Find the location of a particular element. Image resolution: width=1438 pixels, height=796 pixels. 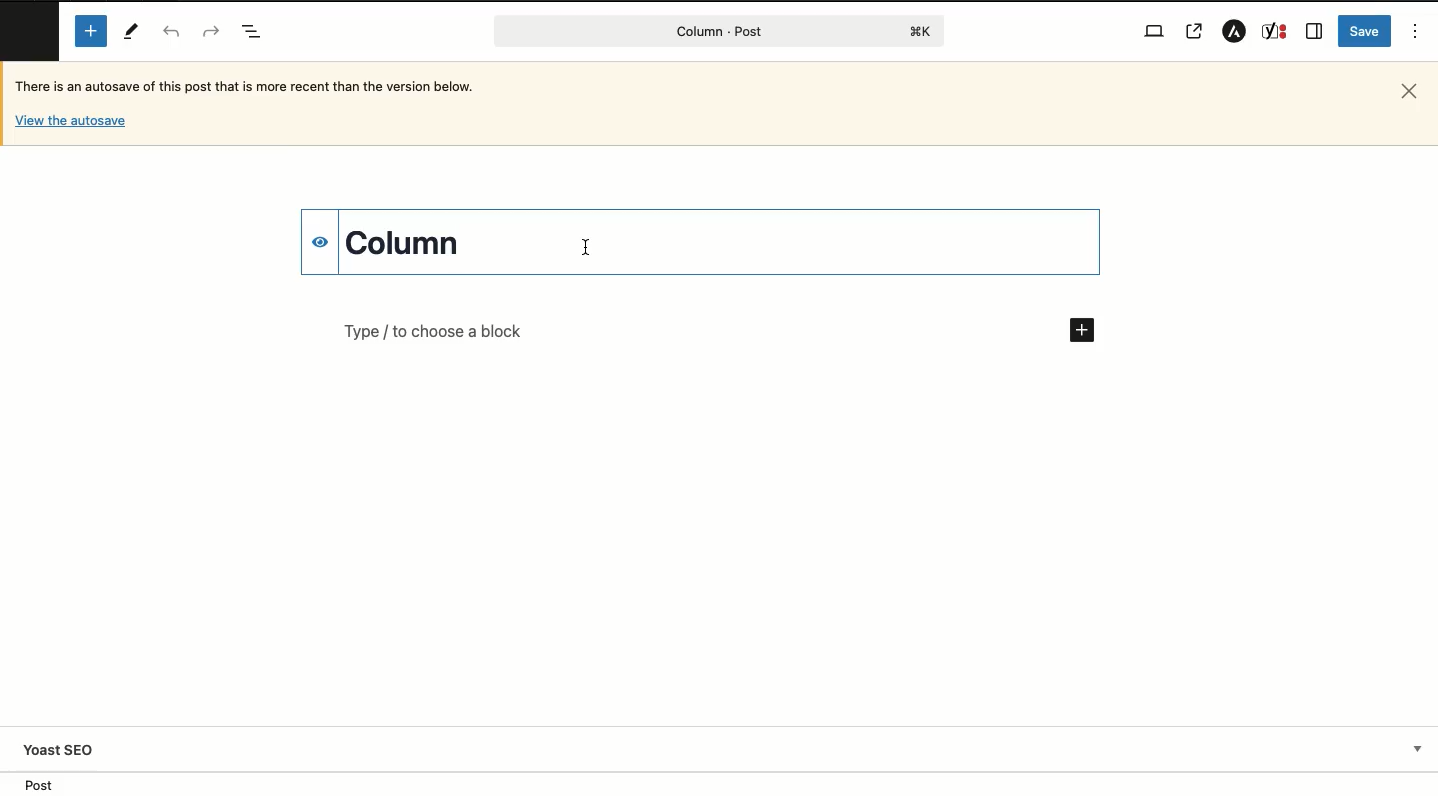

Title is located at coordinates (414, 243).